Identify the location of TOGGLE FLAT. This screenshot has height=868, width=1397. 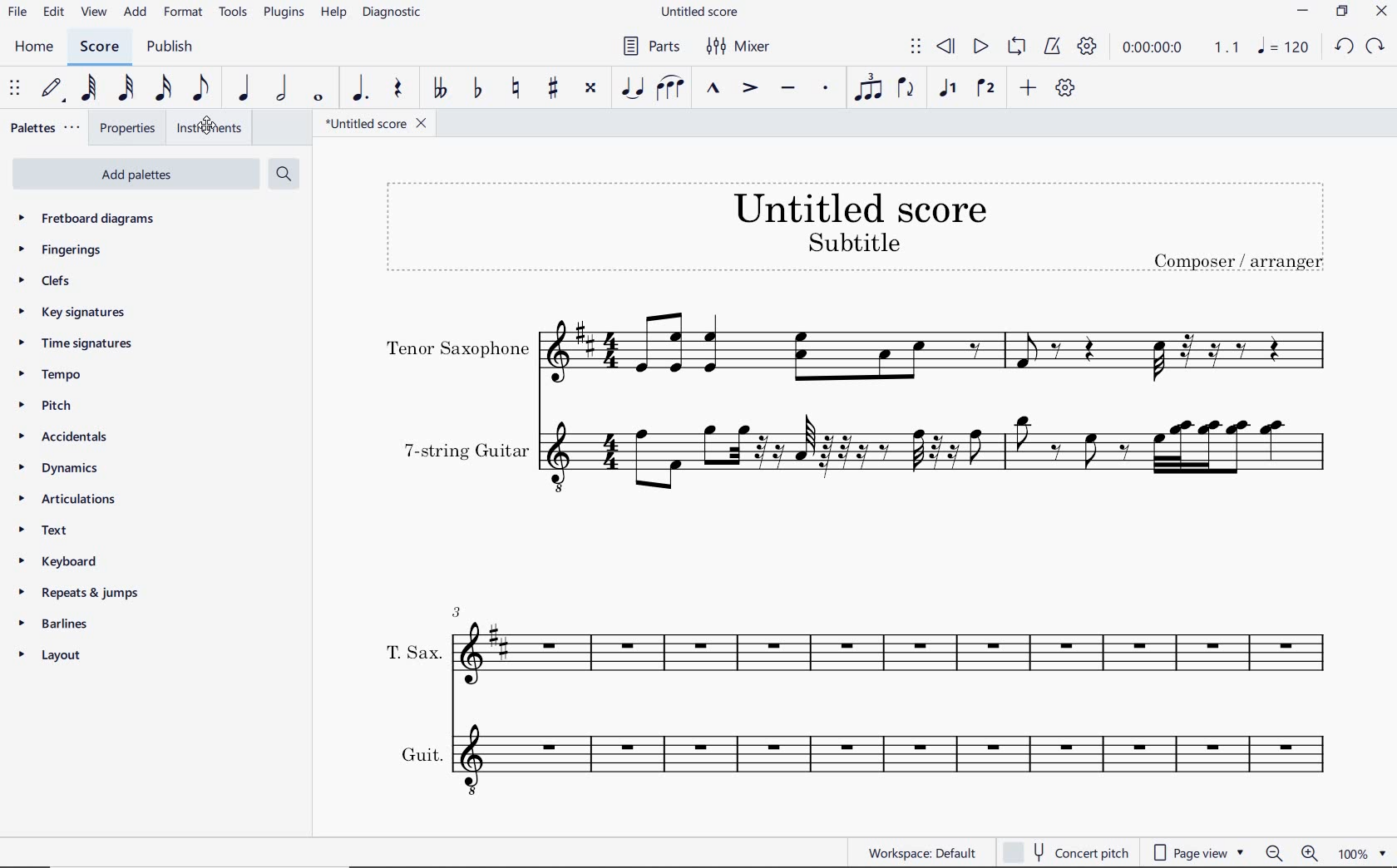
(481, 87).